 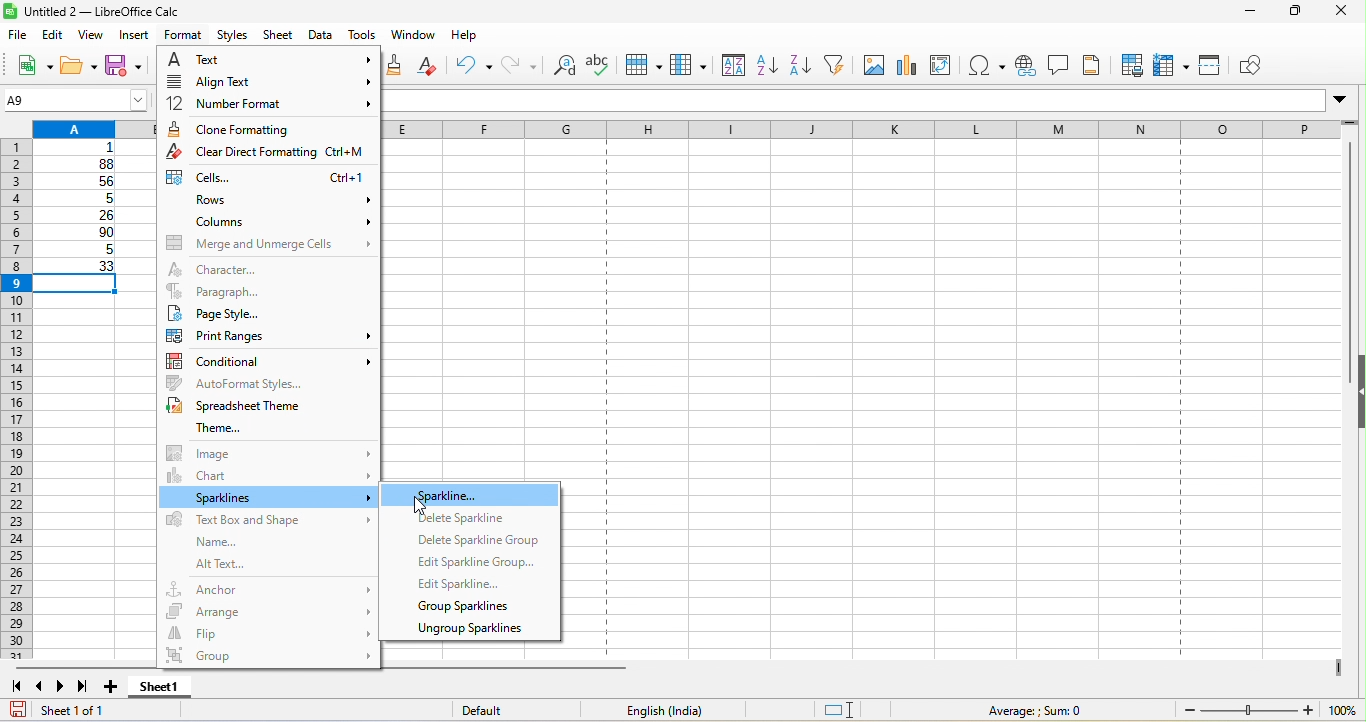 What do you see at coordinates (421, 506) in the screenshot?
I see `cursor movement` at bounding box center [421, 506].